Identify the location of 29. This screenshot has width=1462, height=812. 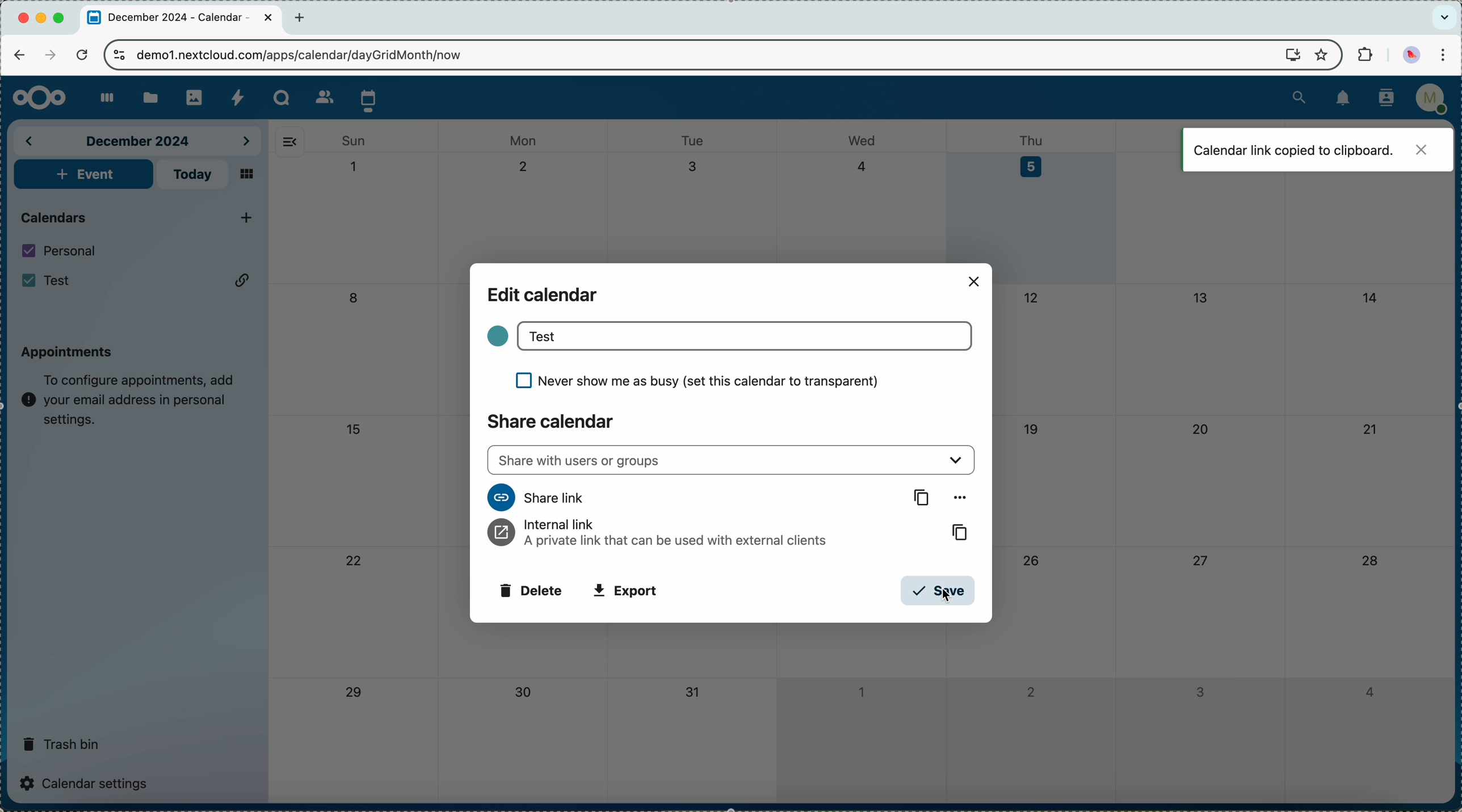
(352, 693).